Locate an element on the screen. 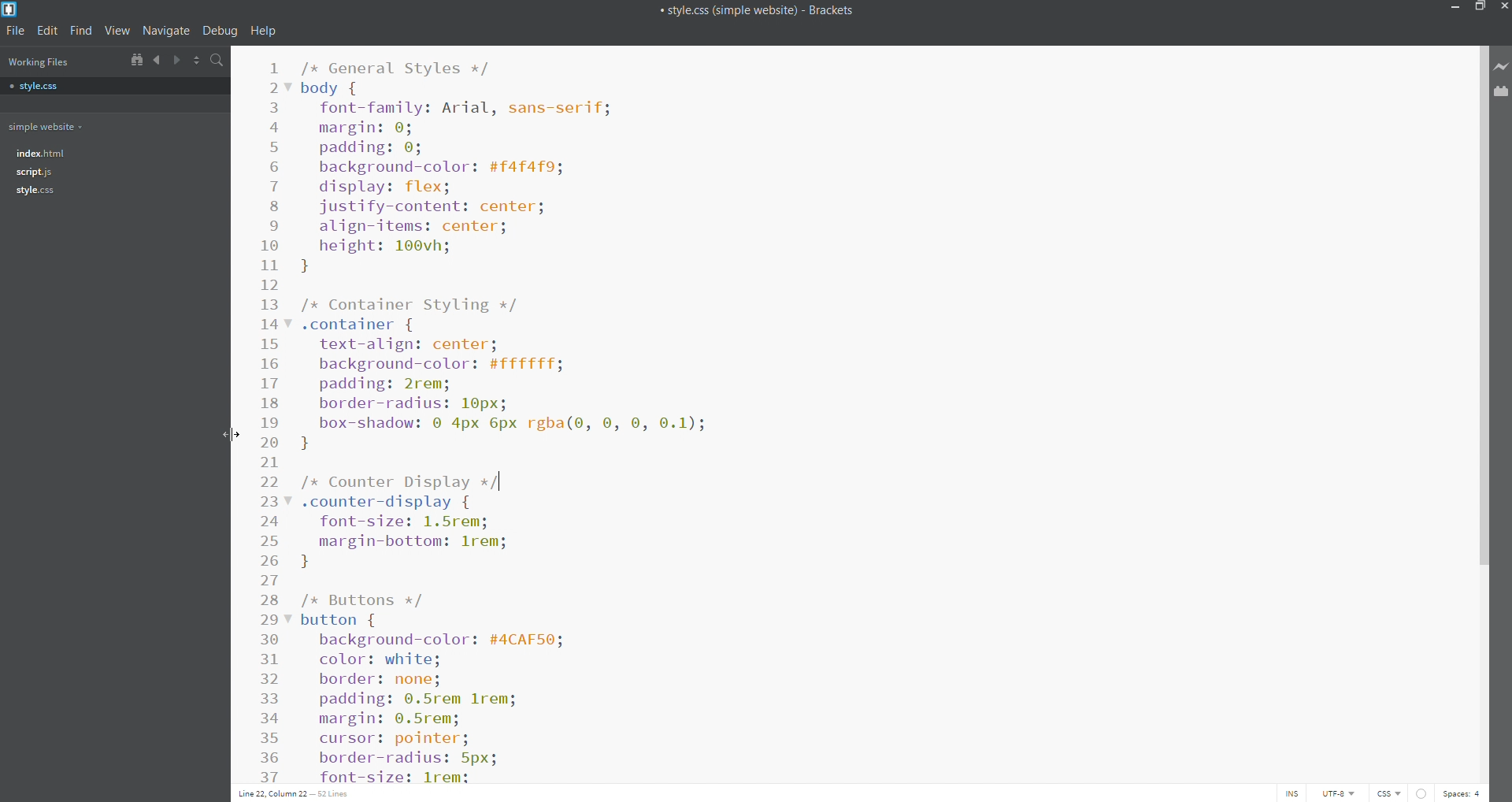 This screenshot has height=802, width=1512. working files is located at coordinates (37, 61).